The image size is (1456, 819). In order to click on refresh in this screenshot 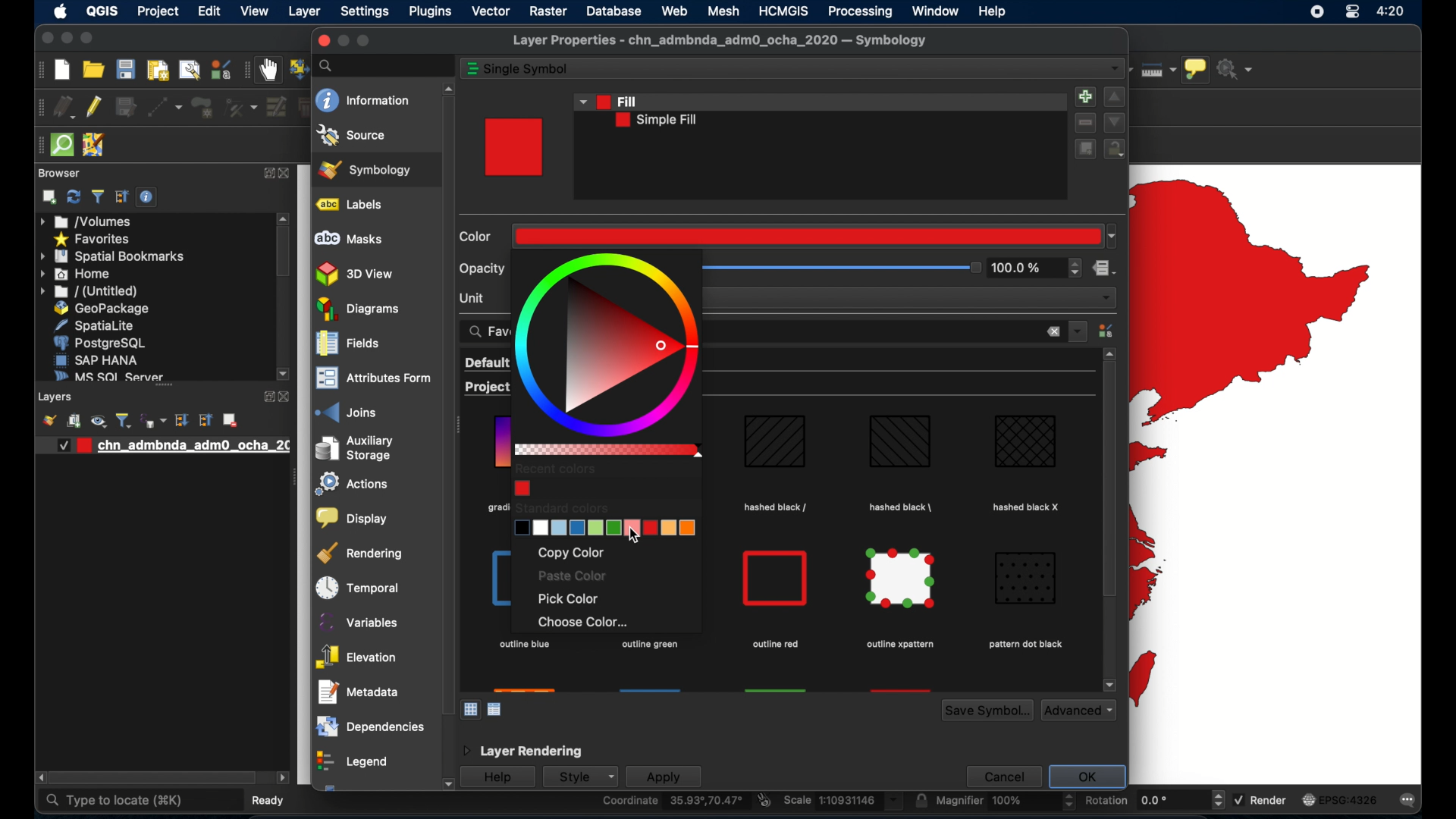, I will do `click(74, 196)`.